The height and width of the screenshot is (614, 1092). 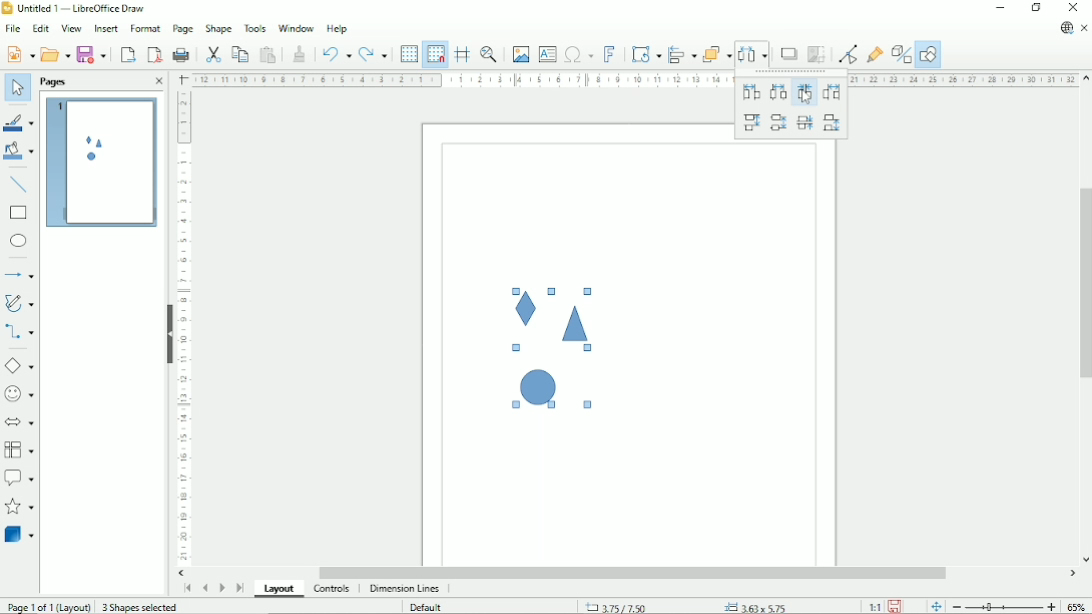 What do you see at coordinates (547, 54) in the screenshot?
I see `Insert text box` at bounding box center [547, 54].